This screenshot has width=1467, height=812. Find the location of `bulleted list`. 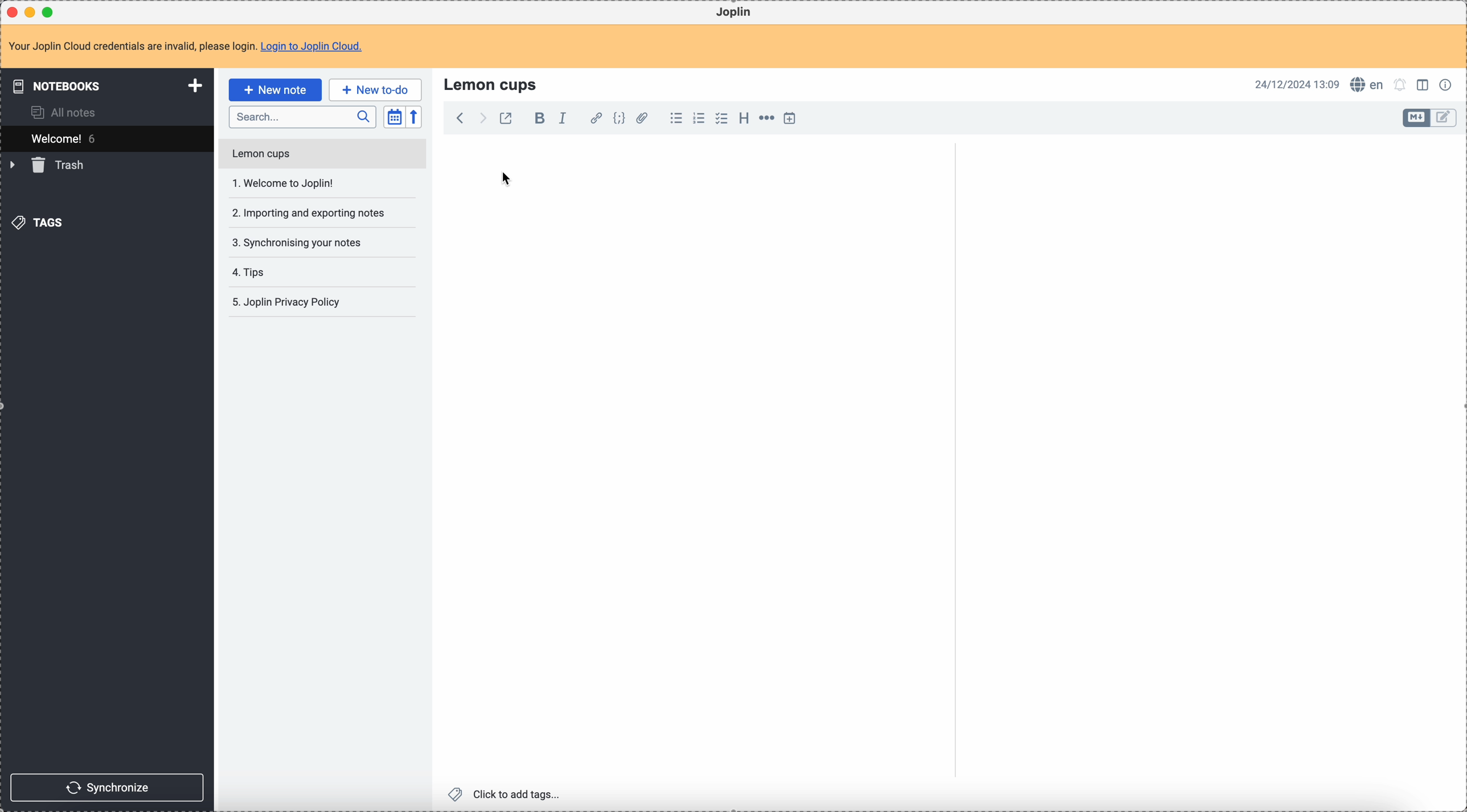

bulleted list is located at coordinates (674, 118).